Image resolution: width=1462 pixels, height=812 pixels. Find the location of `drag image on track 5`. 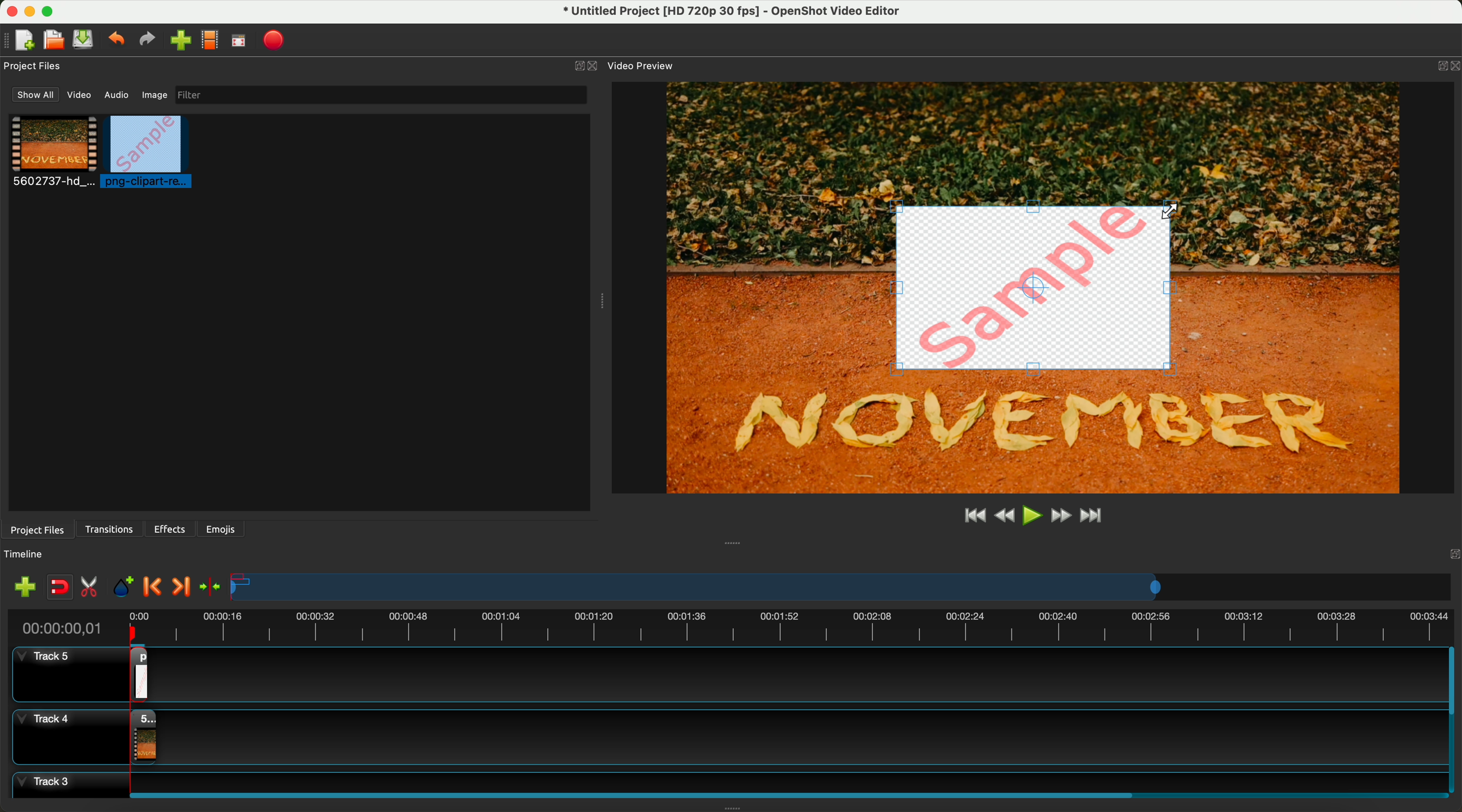

drag image on track 5 is located at coordinates (142, 673).